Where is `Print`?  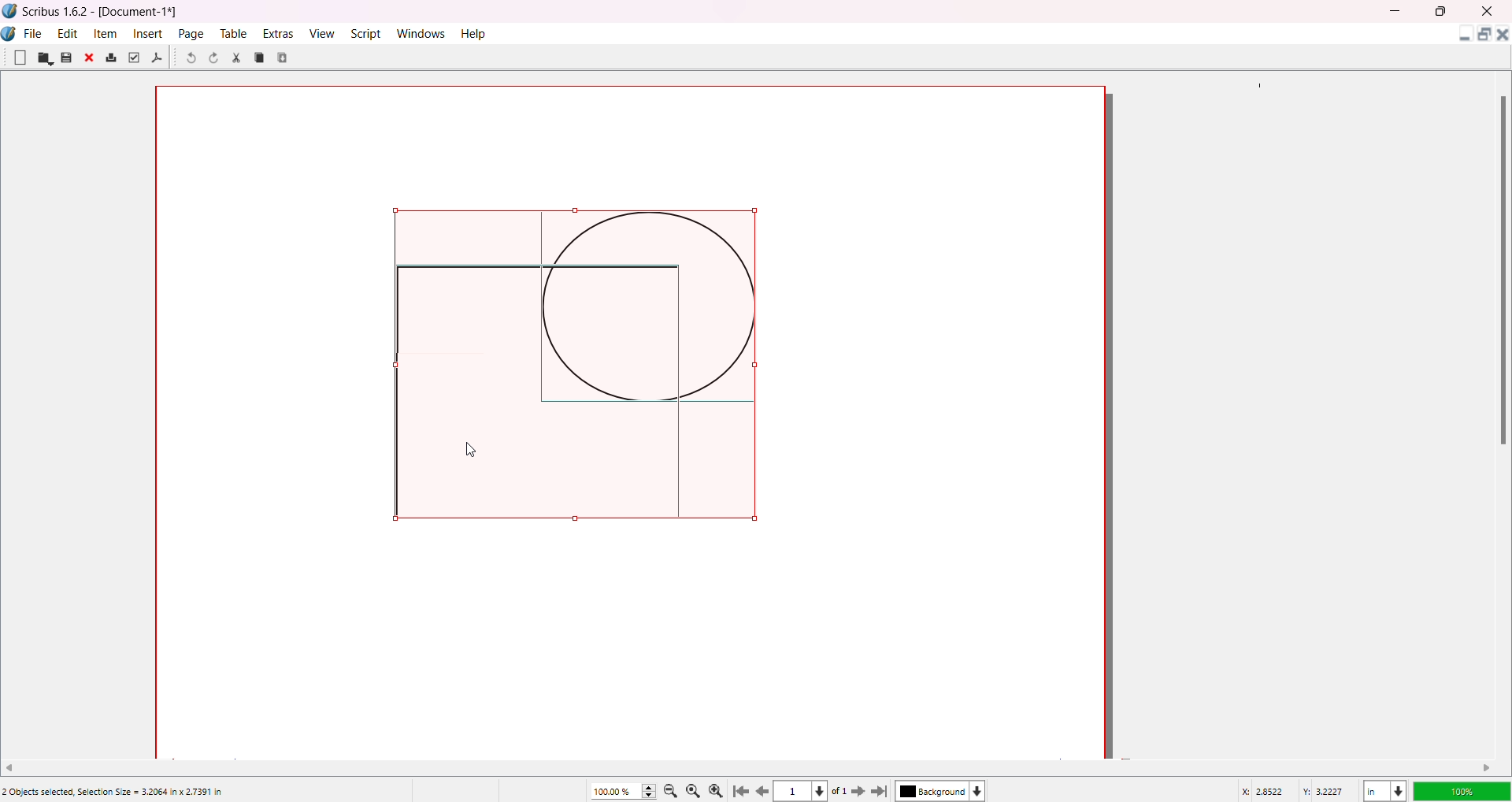 Print is located at coordinates (111, 58).